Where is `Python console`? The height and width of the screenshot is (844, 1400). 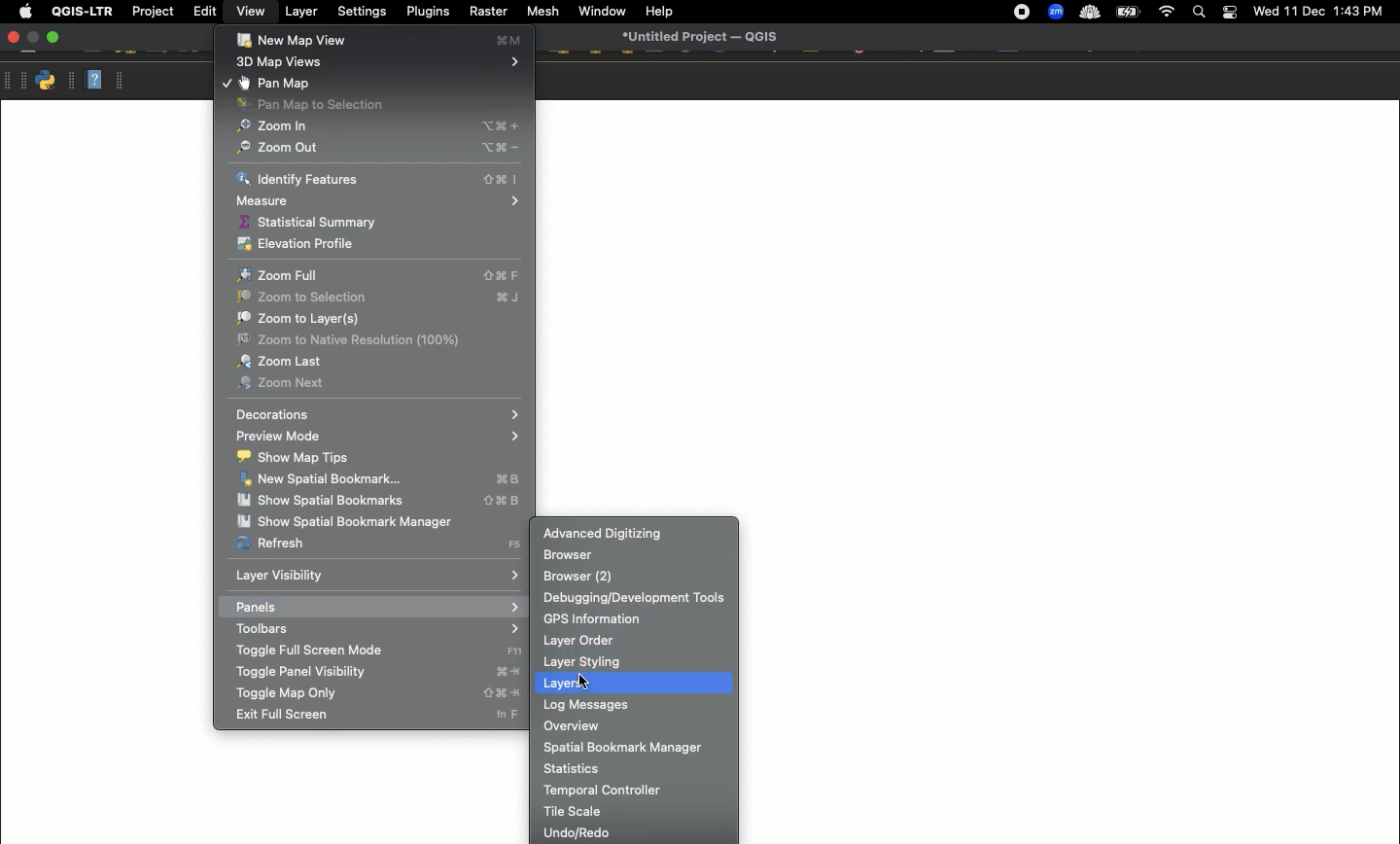
Python console is located at coordinates (46, 81).